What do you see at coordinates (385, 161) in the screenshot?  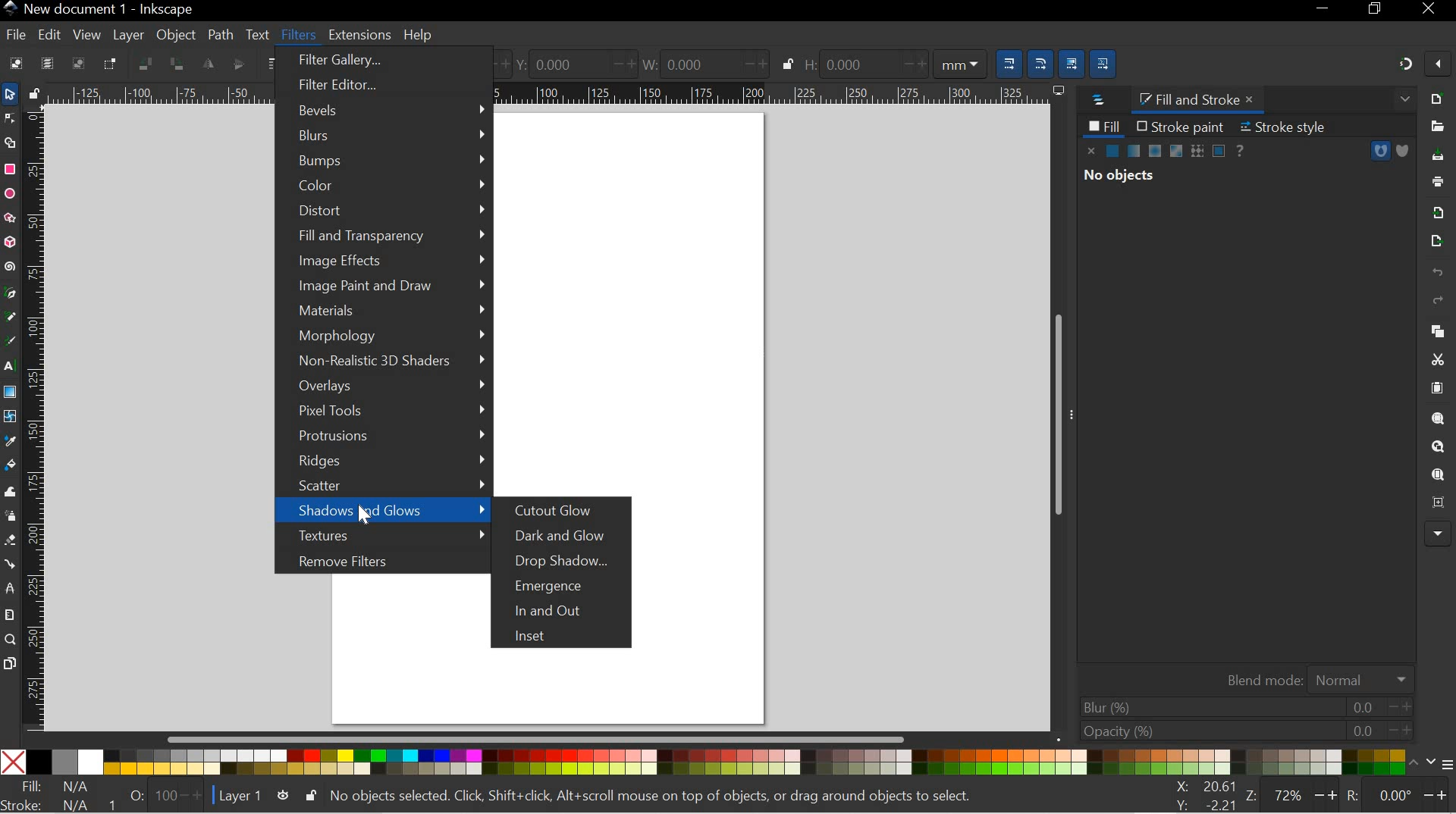 I see `BUMPS` at bounding box center [385, 161].